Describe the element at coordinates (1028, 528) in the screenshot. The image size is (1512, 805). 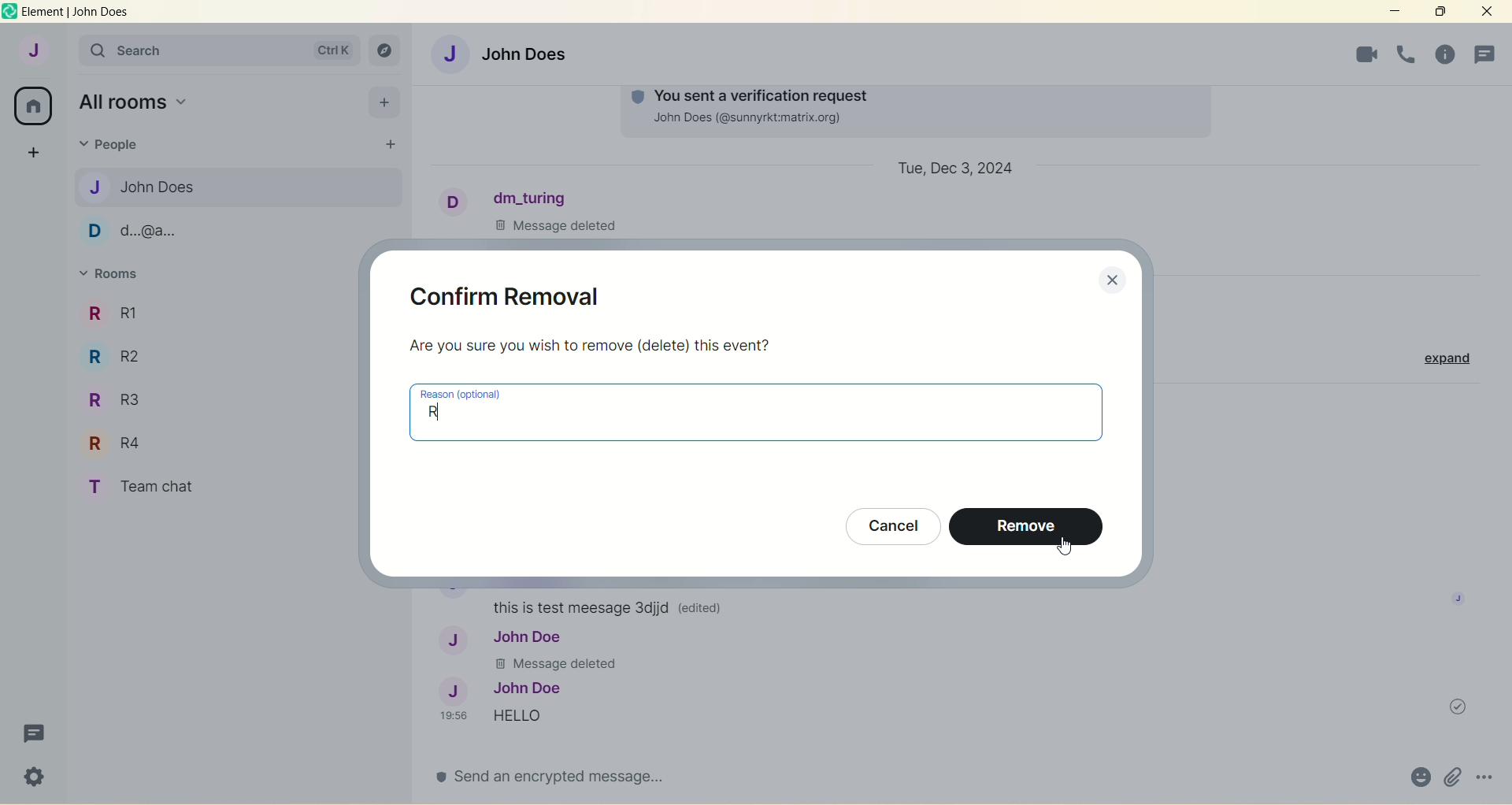
I see `remove` at that location.